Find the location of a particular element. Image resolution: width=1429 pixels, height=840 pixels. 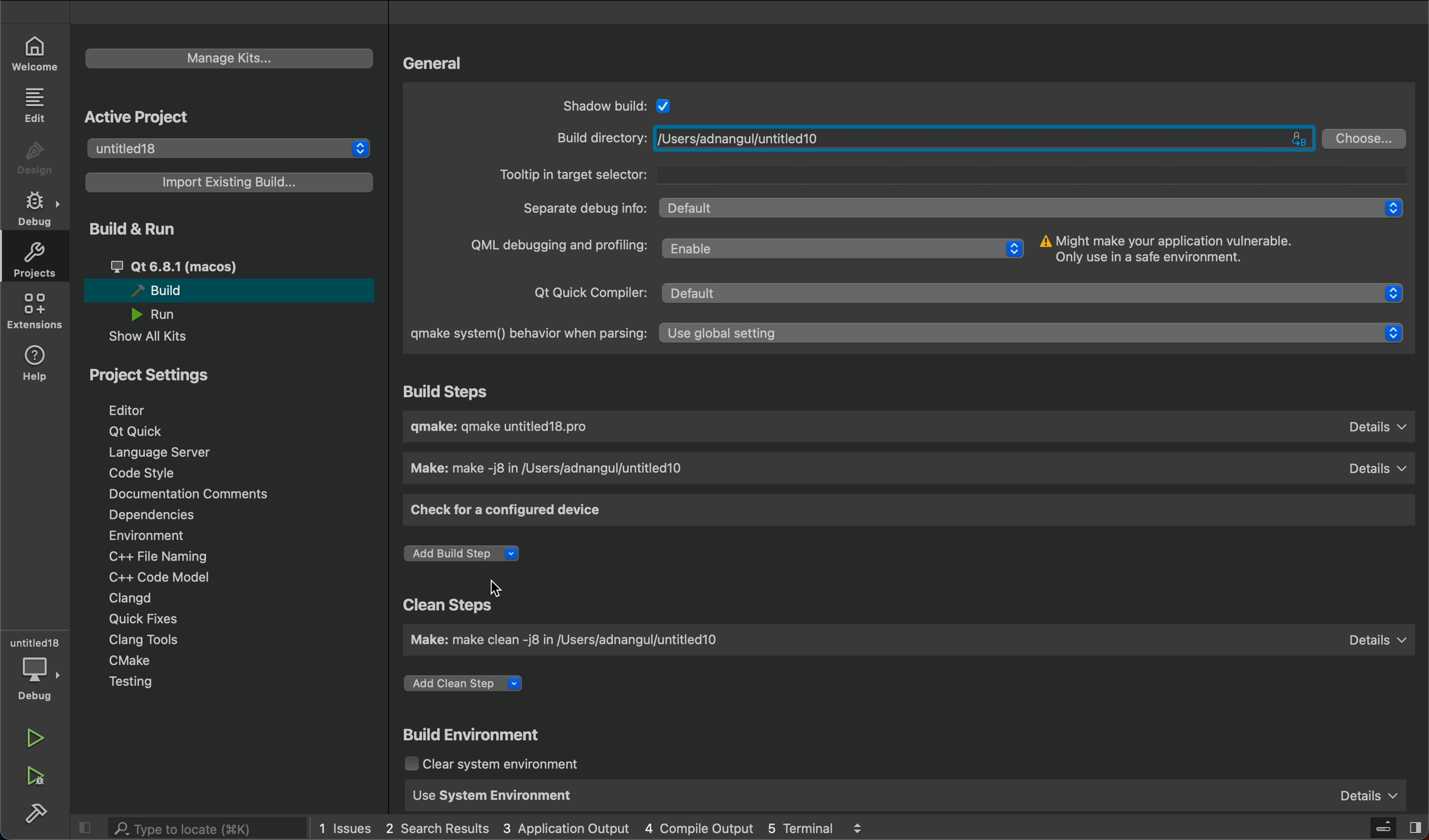

check  is located at coordinates (898, 511).